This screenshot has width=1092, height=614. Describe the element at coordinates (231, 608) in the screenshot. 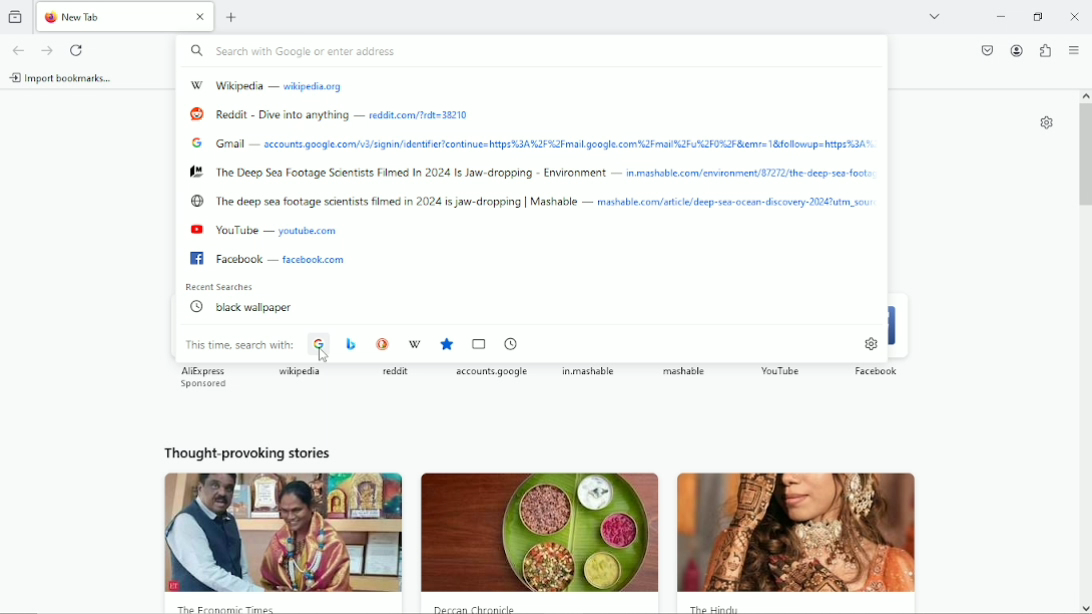

I see `the economic times` at that location.